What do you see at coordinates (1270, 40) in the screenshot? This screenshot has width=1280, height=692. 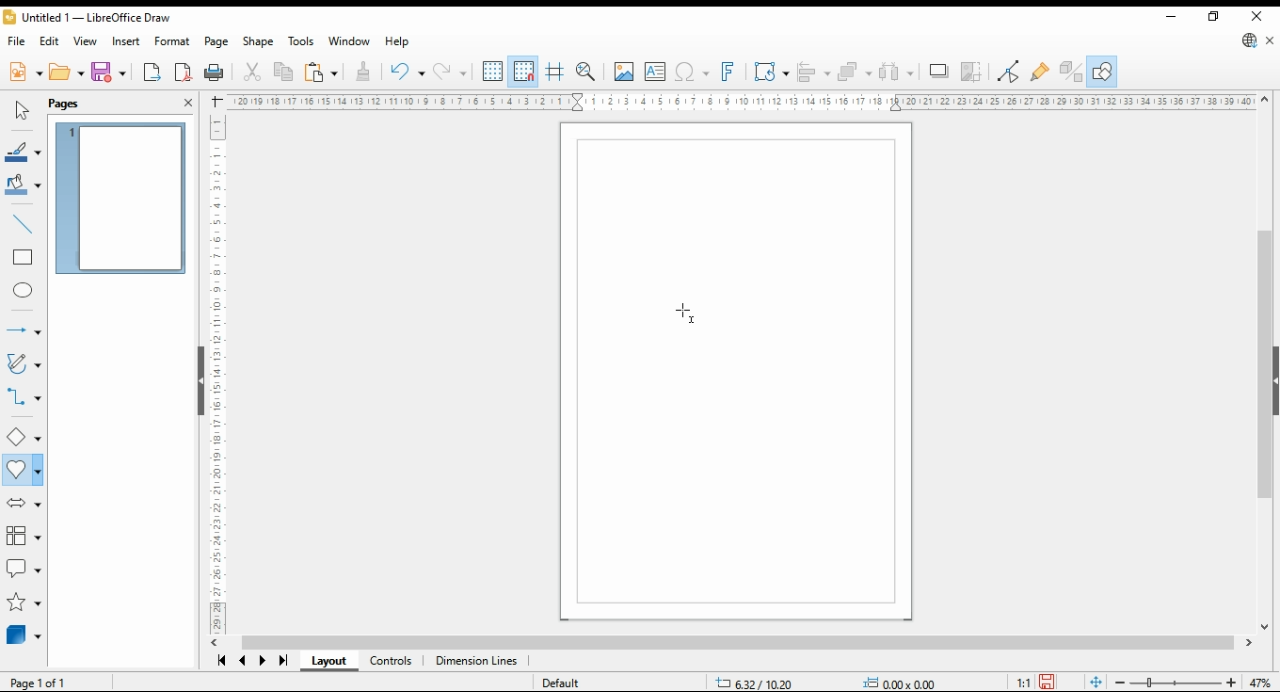 I see `close document` at bounding box center [1270, 40].